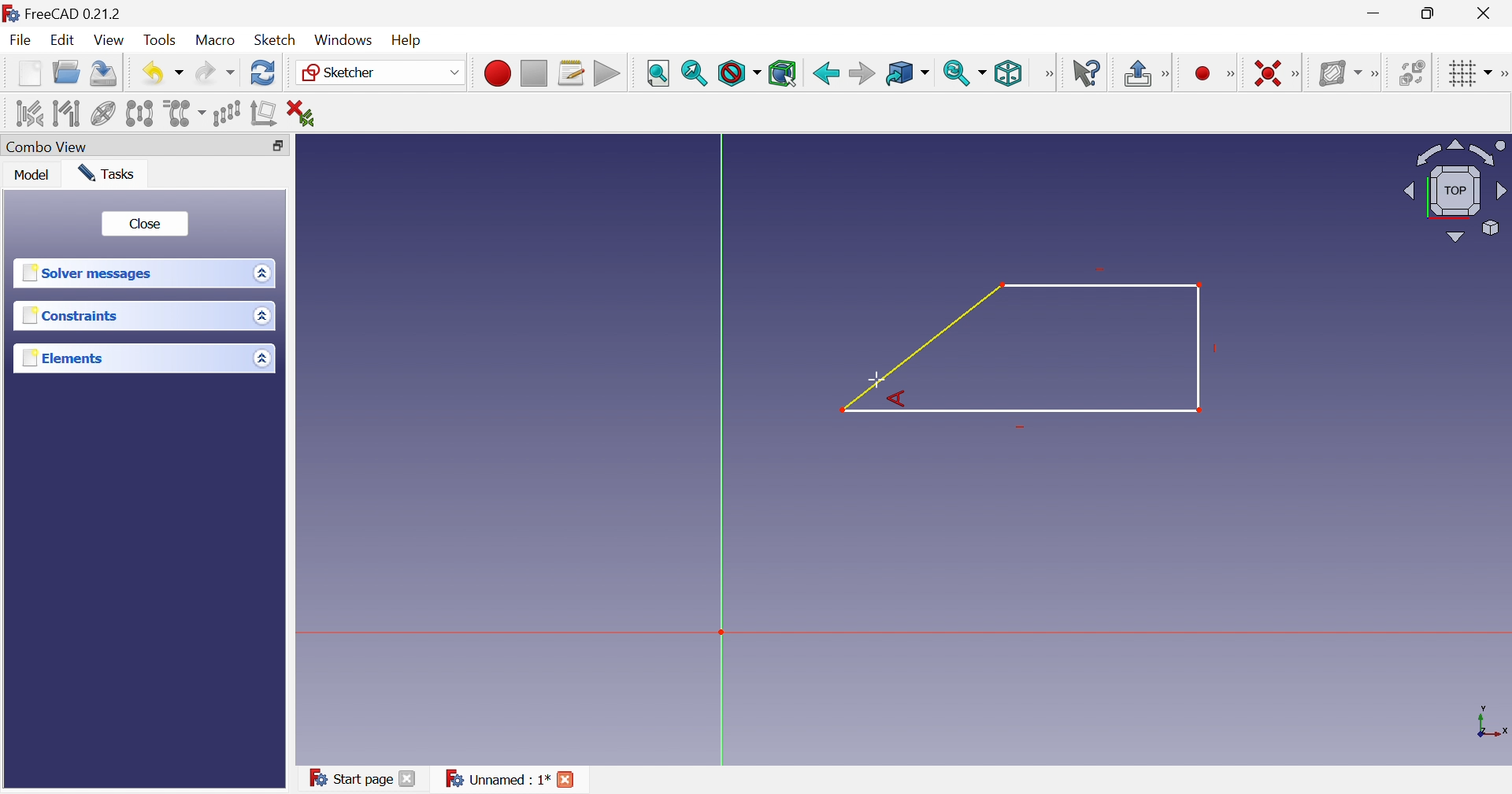 The height and width of the screenshot is (794, 1512). Describe the element at coordinates (606, 73) in the screenshot. I see `Execute macro` at that location.